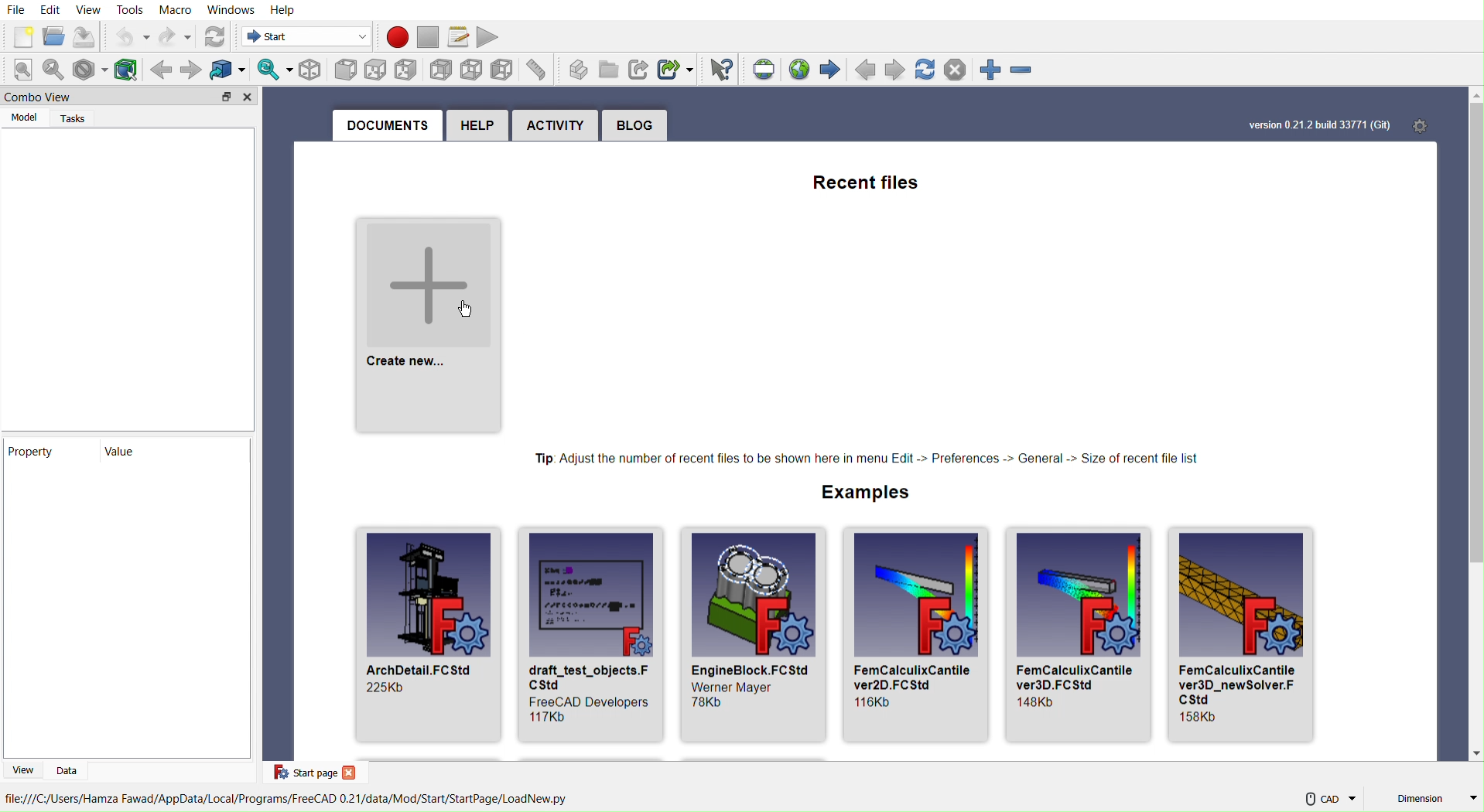 Image resolution: width=1484 pixels, height=812 pixels. Describe the element at coordinates (928, 70) in the screenshot. I see `Refresh web page` at that location.